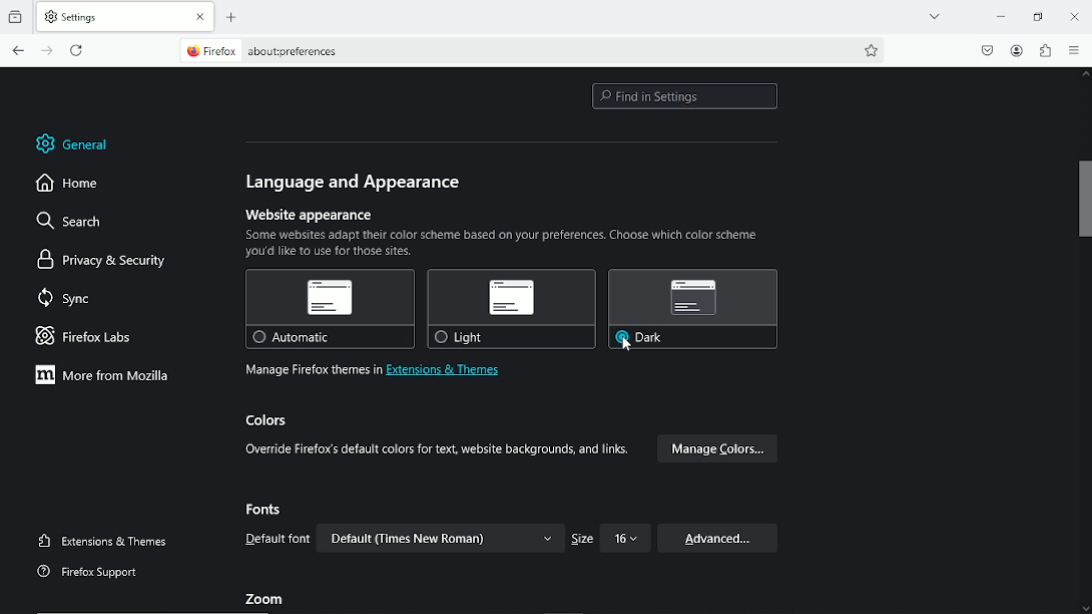 This screenshot has width=1092, height=614. I want to click on search, so click(72, 221).